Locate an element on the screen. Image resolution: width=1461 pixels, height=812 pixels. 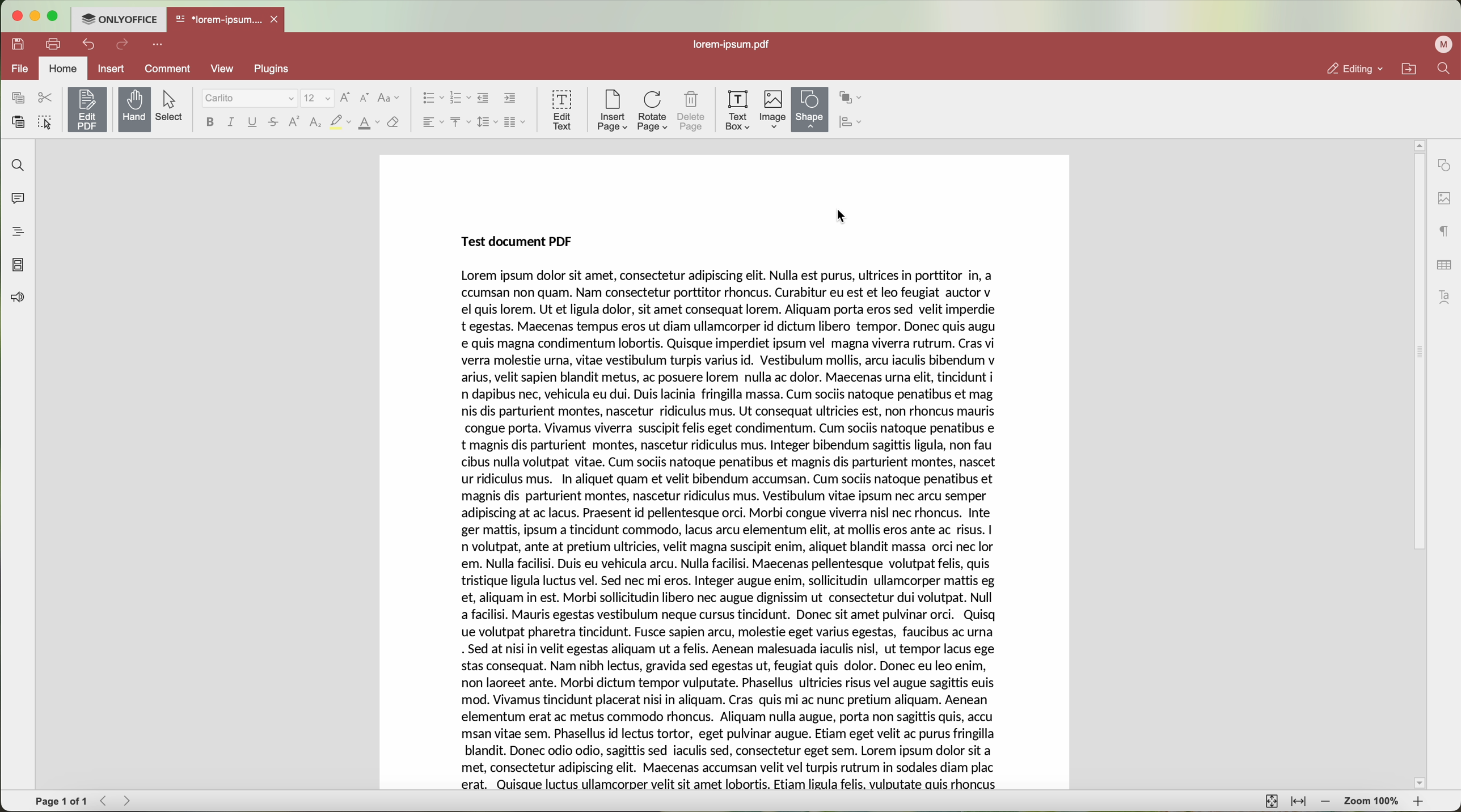
rotate page is located at coordinates (653, 111).